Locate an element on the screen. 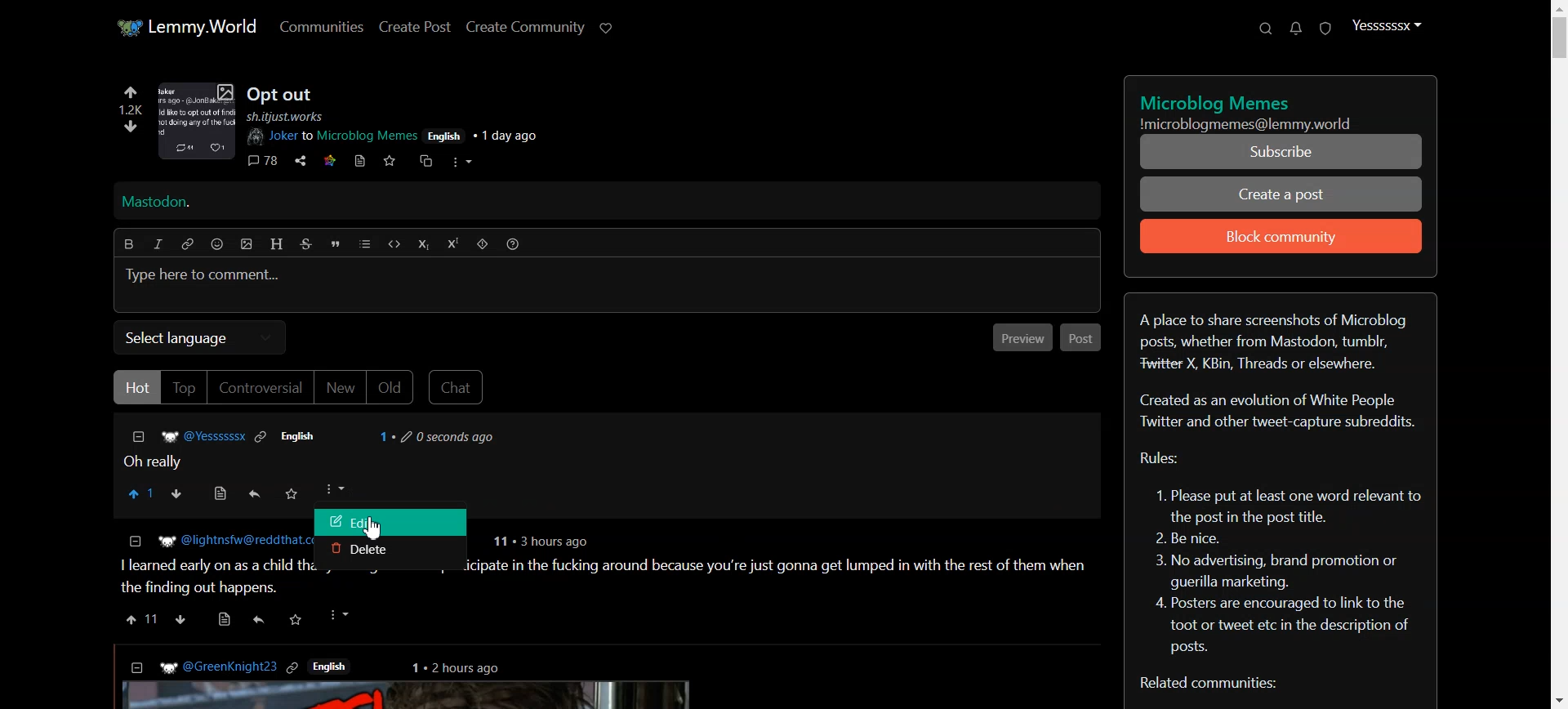 This screenshot has width=1568, height=709. share is located at coordinates (301, 161).